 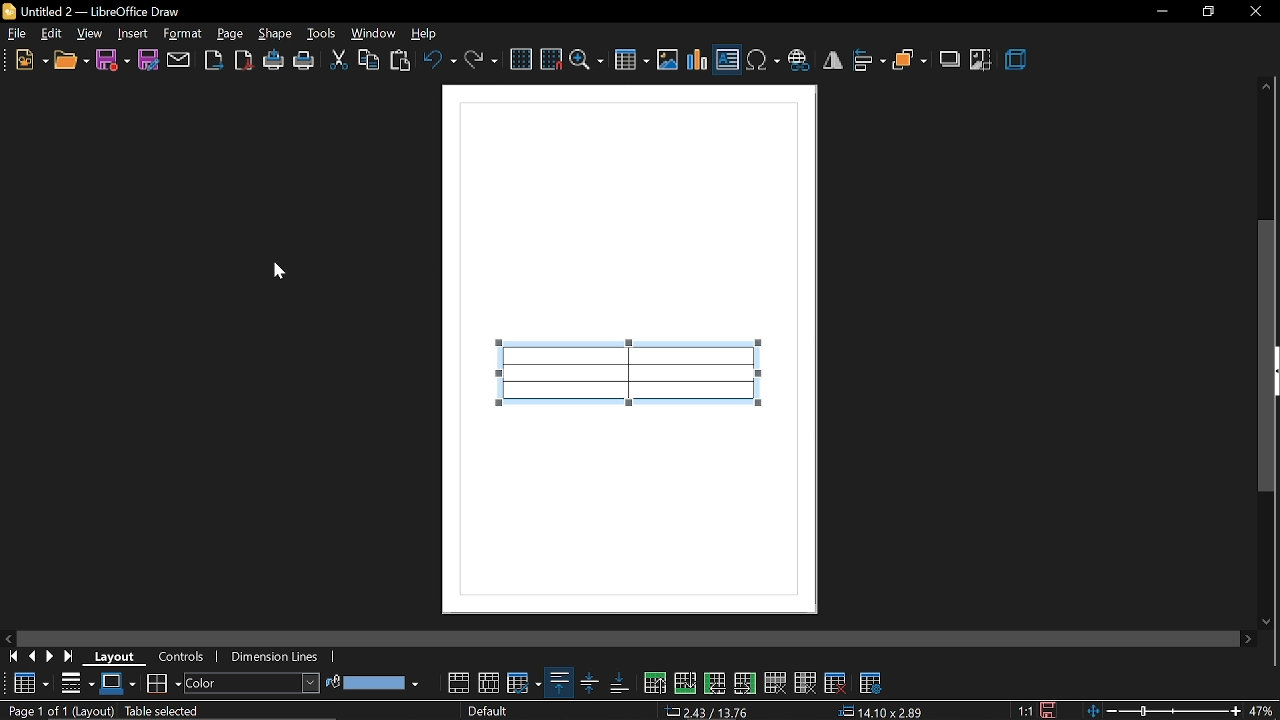 What do you see at coordinates (1268, 372) in the screenshot?
I see `vertical scrollbar` at bounding box center [1268, 372].